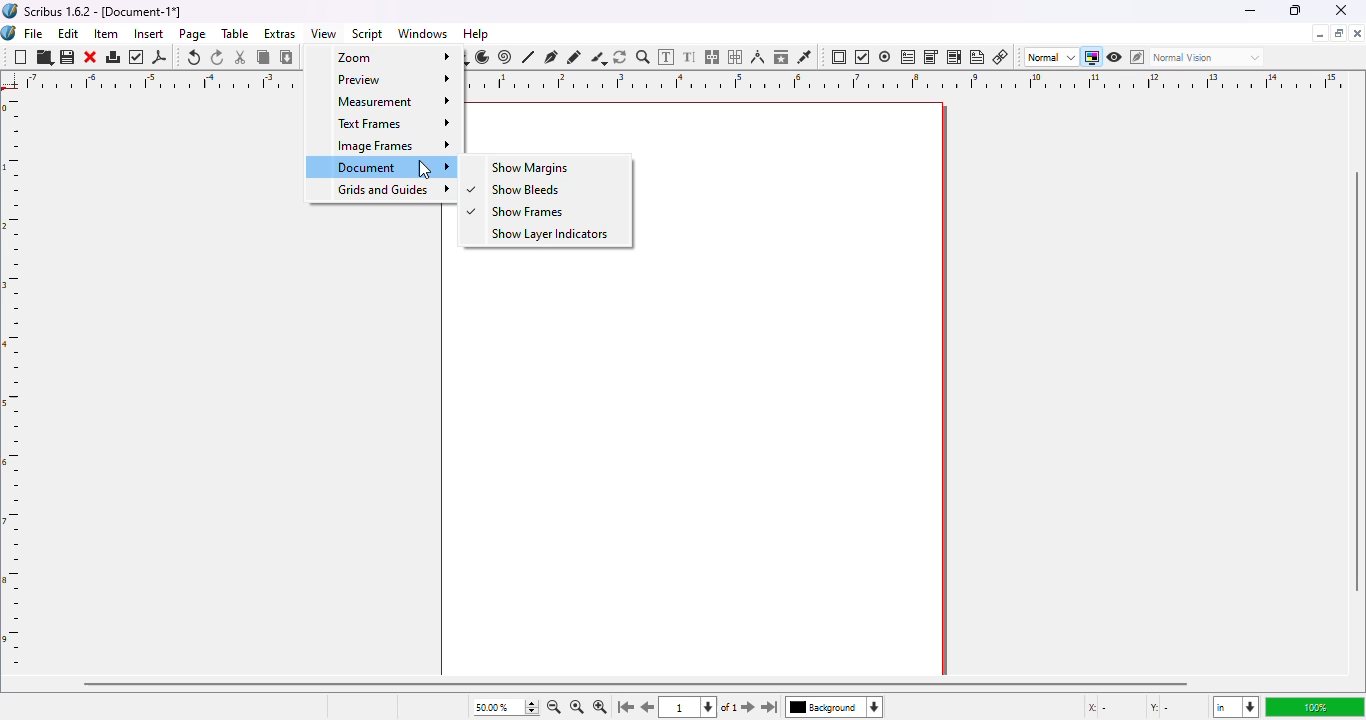 The width and height of the screenshot is (1366, 720). Describe the element at coordinates (505, 57) in the screenshot. I see `spiral` at that location.